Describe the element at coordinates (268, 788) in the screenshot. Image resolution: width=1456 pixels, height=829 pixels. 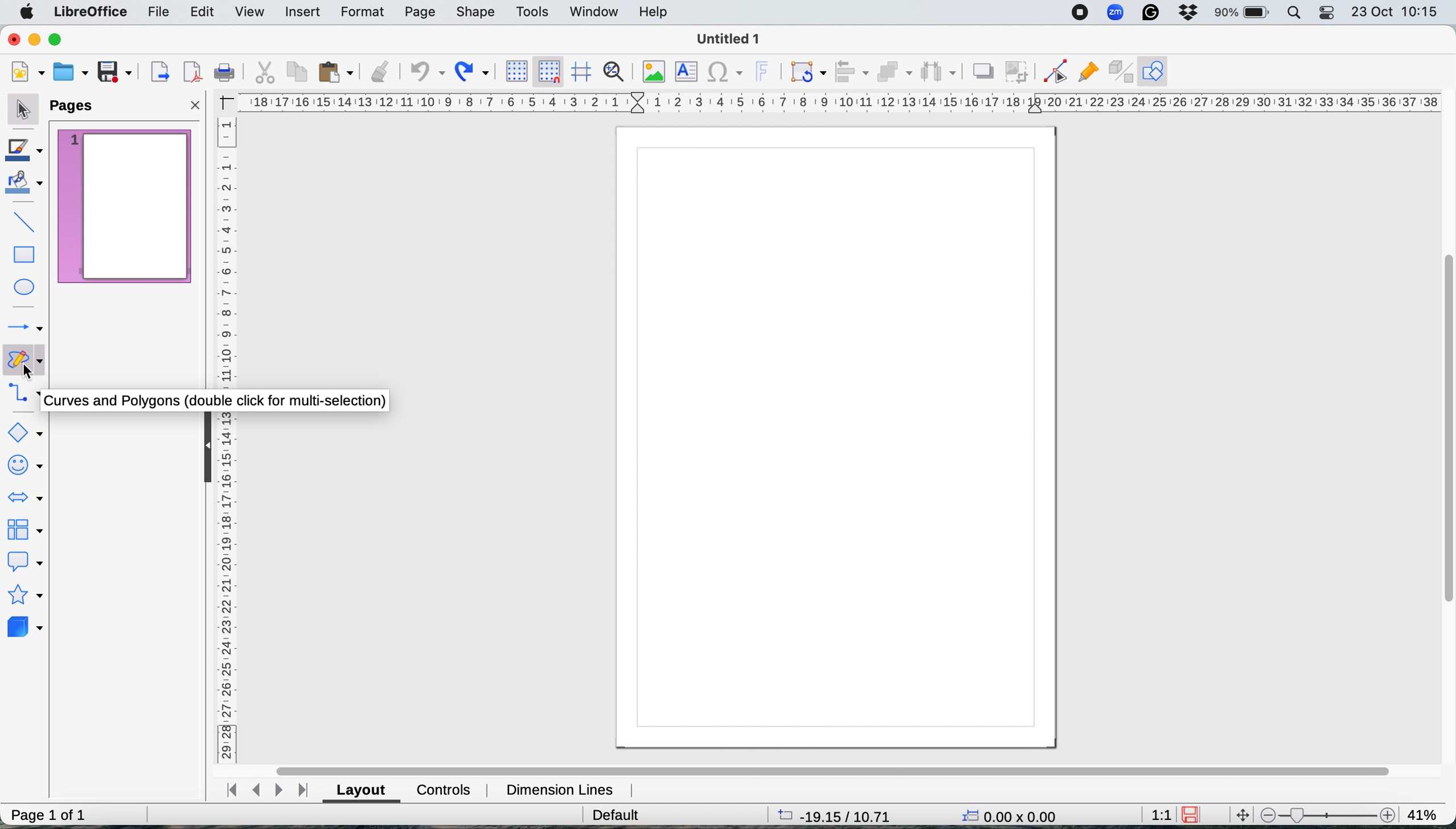
I see `switch between pages` at that location.